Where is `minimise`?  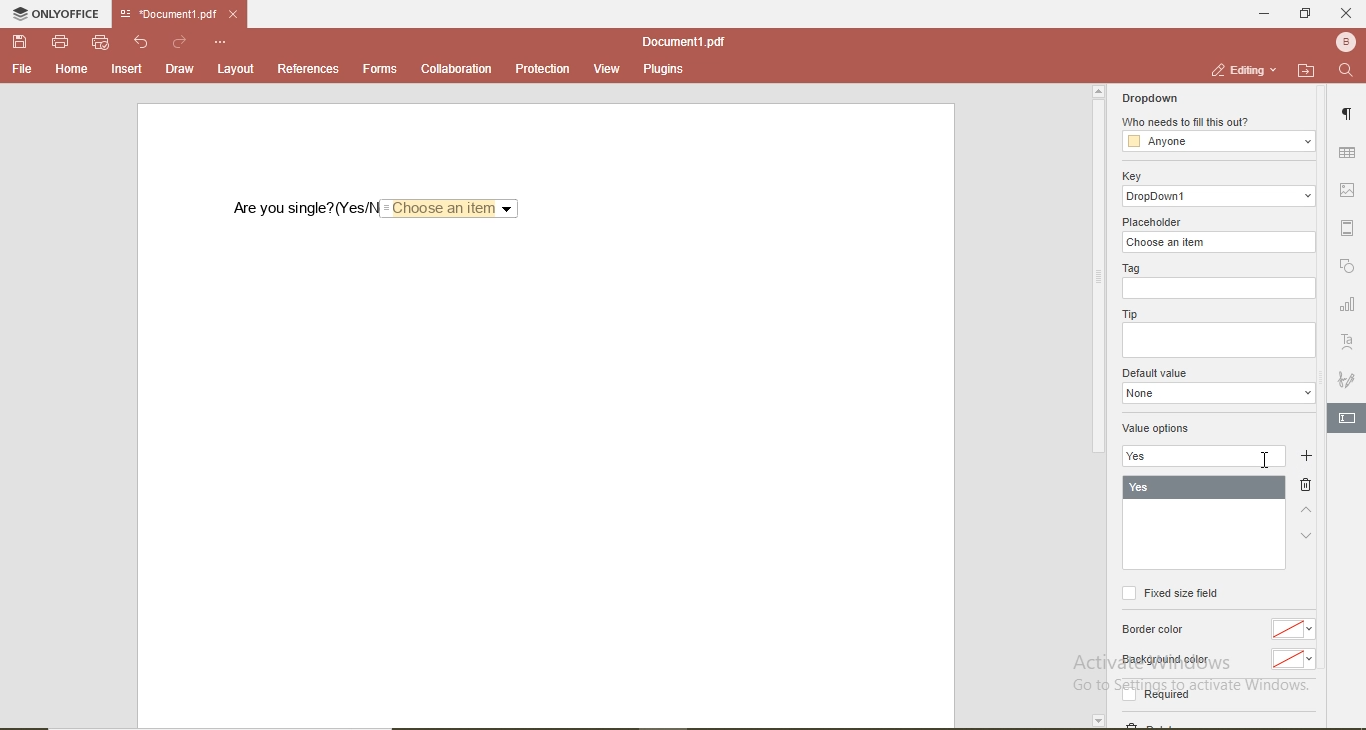
minimise is located at coordinates (1262, 15).